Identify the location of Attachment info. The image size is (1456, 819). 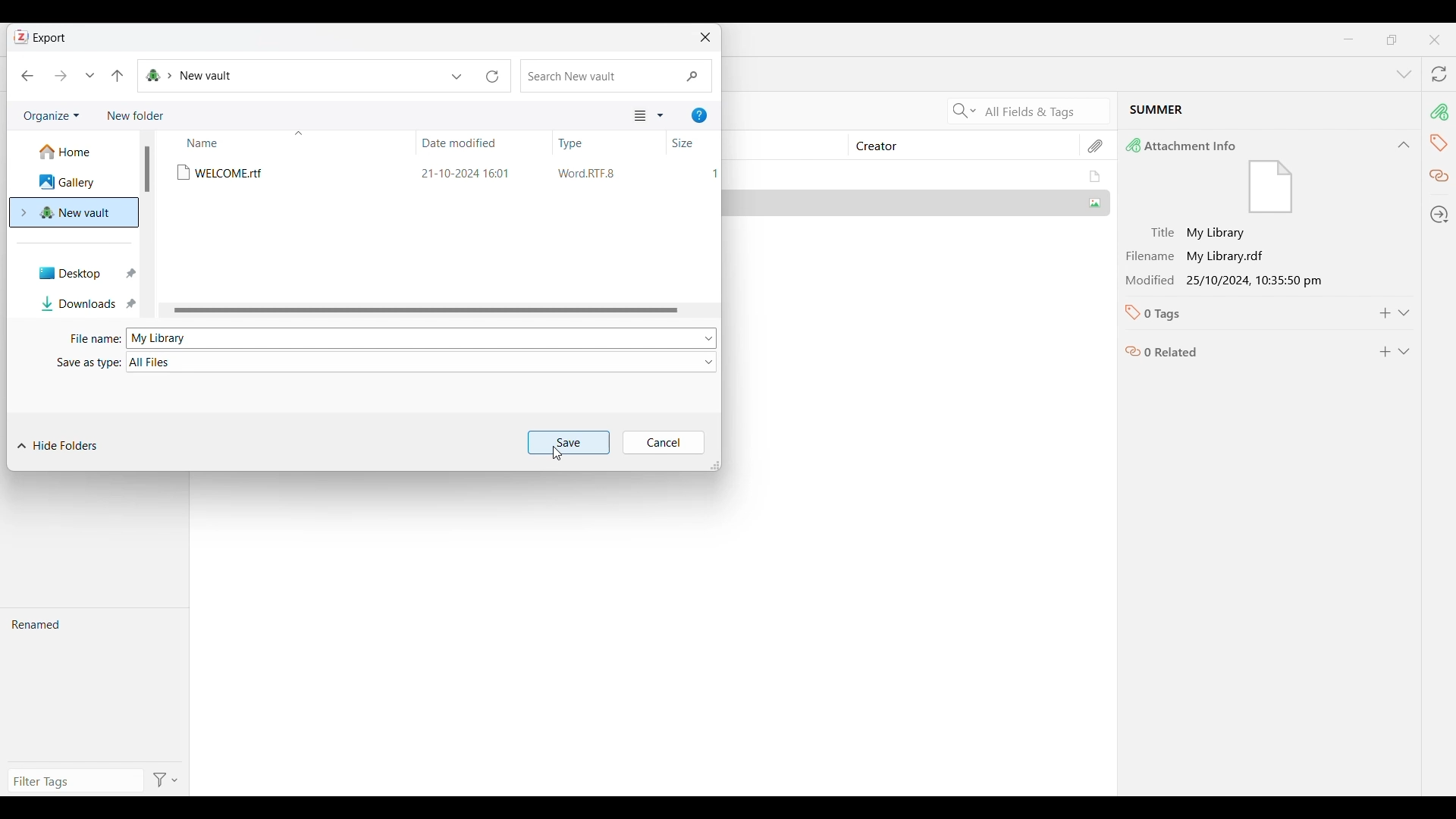
(1442, 111).